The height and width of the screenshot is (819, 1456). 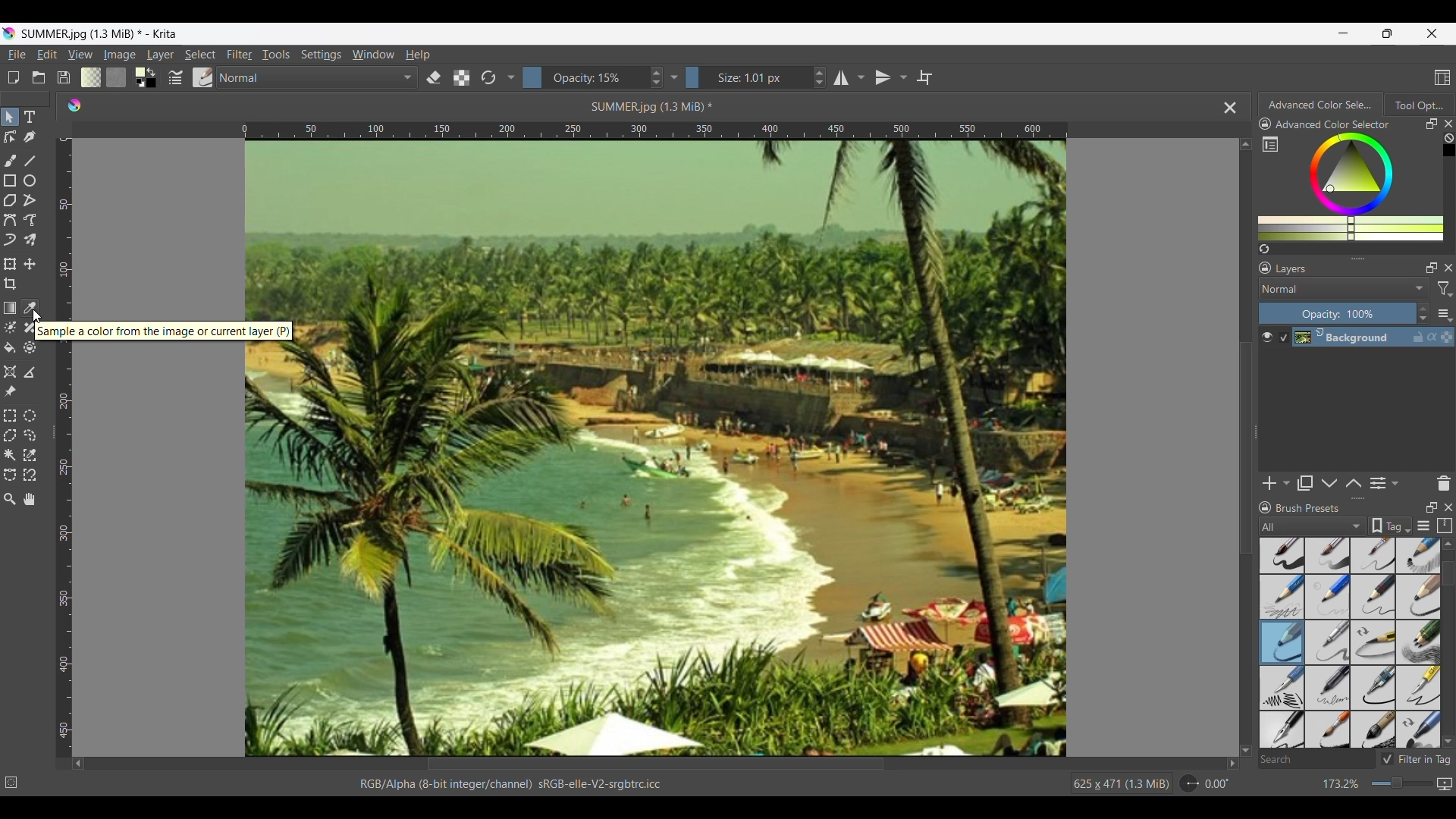 What do you see at coordinates (240, 54) in the screenshot?
I see `Filter menu` at bounding box center [240, 54].